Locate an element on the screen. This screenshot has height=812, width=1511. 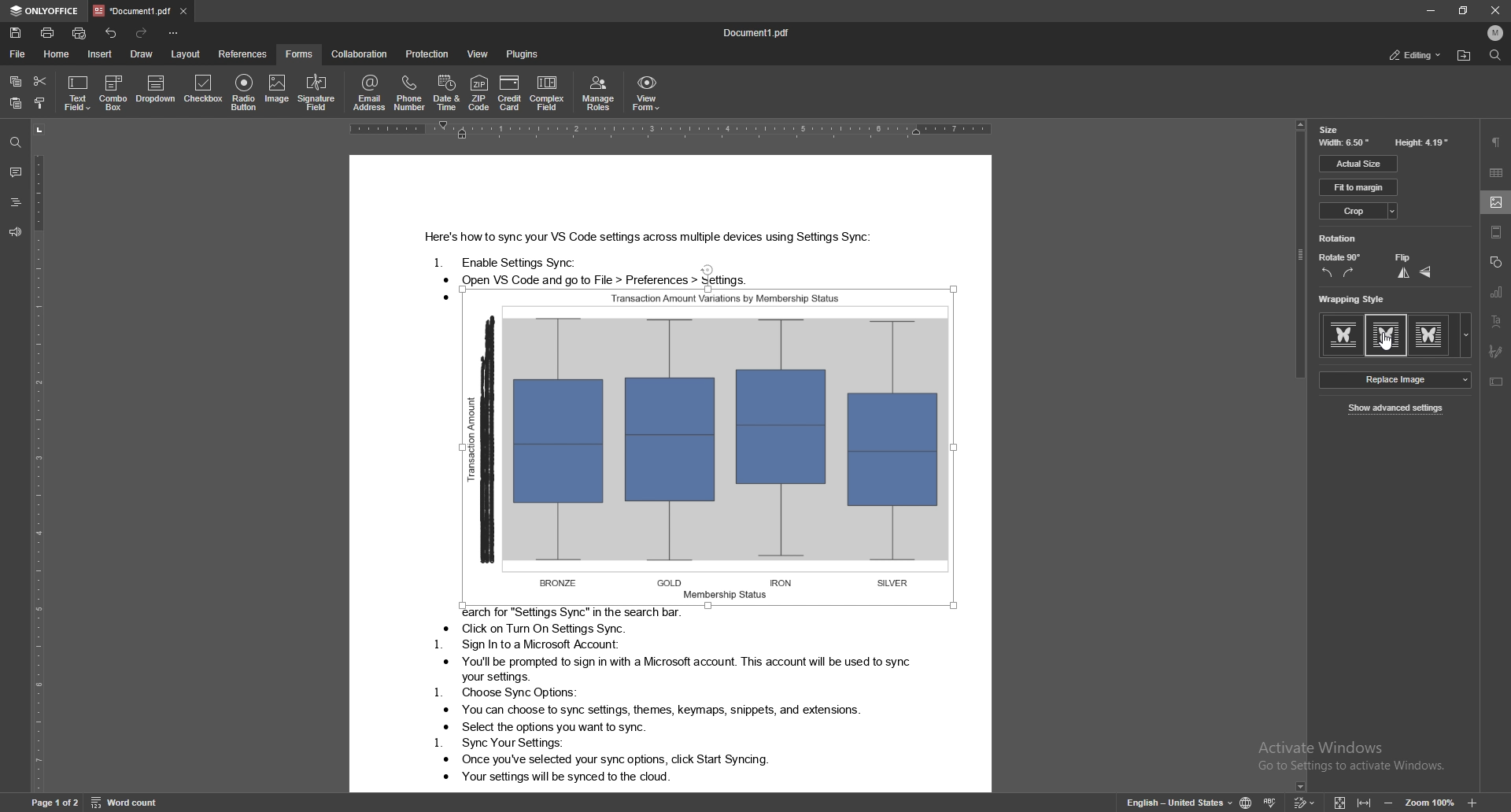
comment is located at coordinates (15, 172).